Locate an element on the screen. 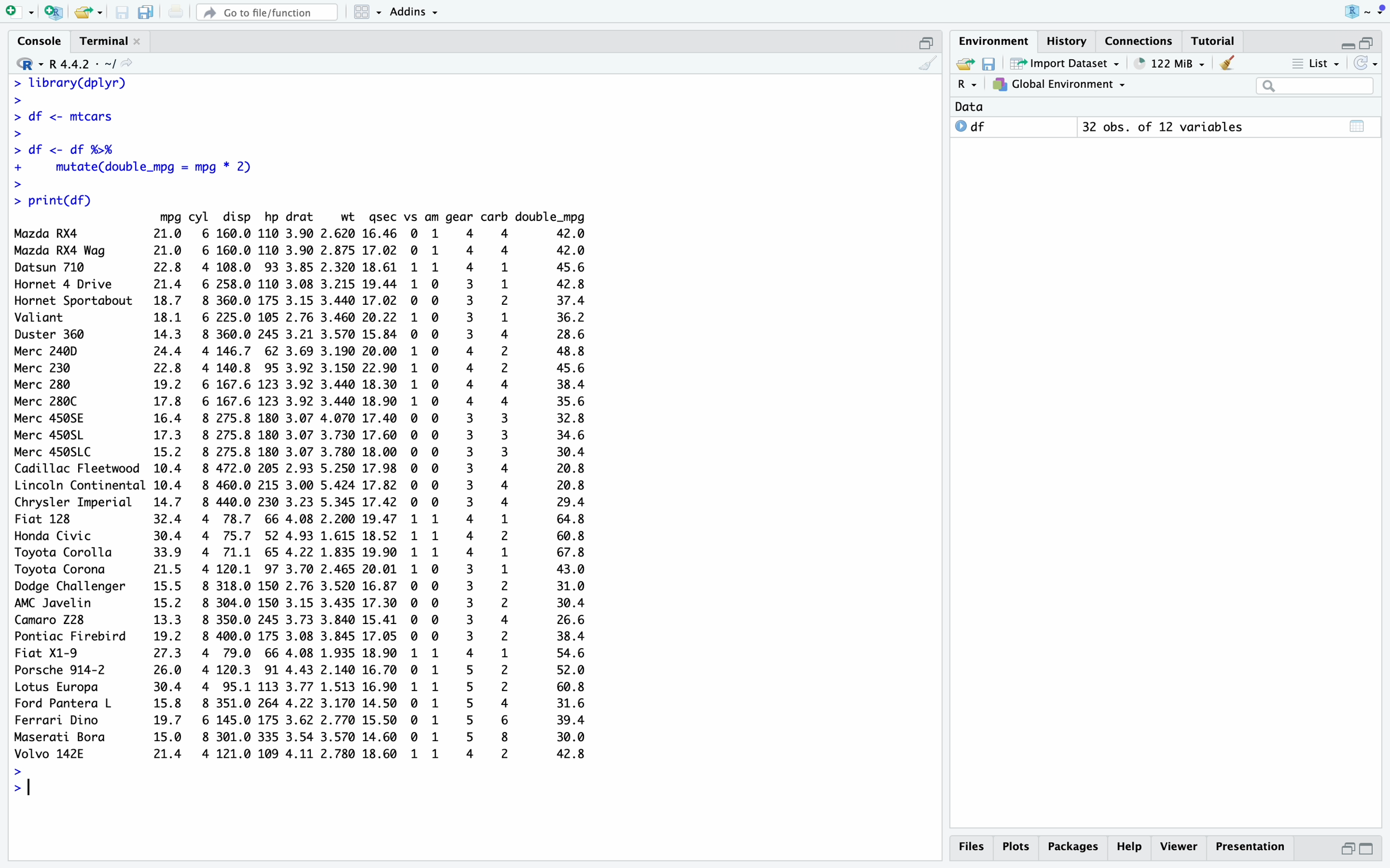 This screenshot has width=1390, height=868. presentation is located at coordinates (1250, 847).